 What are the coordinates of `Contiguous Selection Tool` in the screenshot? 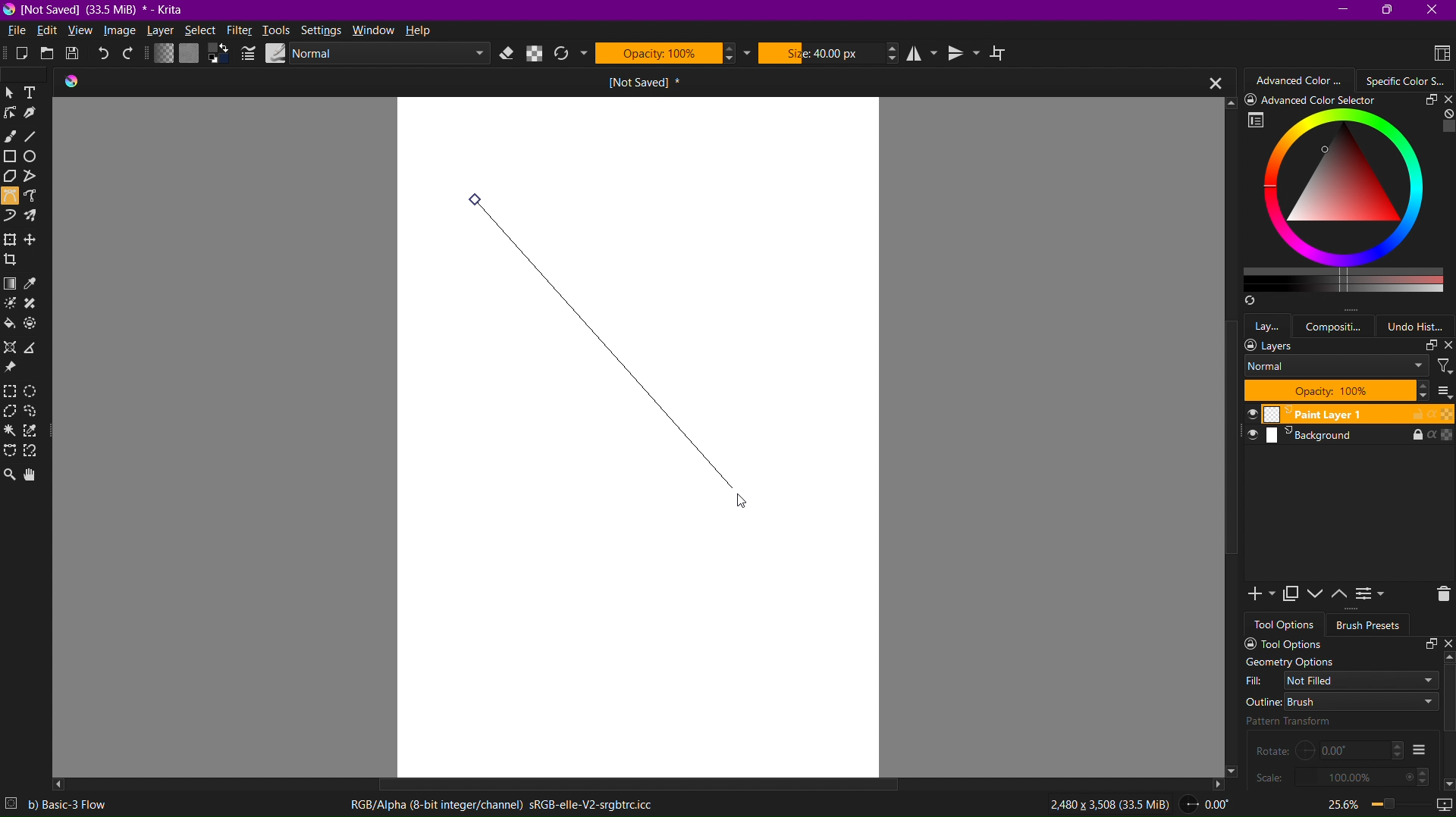 It's located at (11, 434).